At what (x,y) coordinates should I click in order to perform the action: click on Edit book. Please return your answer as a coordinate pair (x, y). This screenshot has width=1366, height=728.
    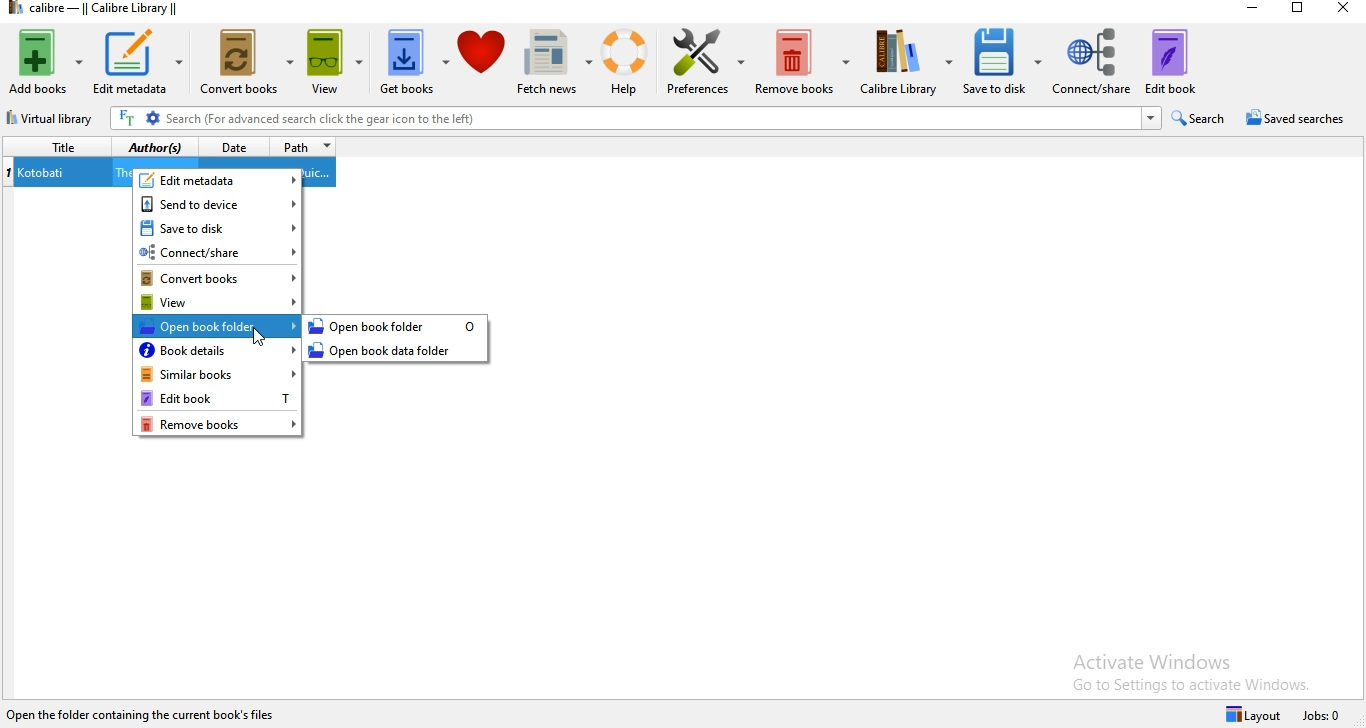
    Looking at the image, I should click on (218, 398).